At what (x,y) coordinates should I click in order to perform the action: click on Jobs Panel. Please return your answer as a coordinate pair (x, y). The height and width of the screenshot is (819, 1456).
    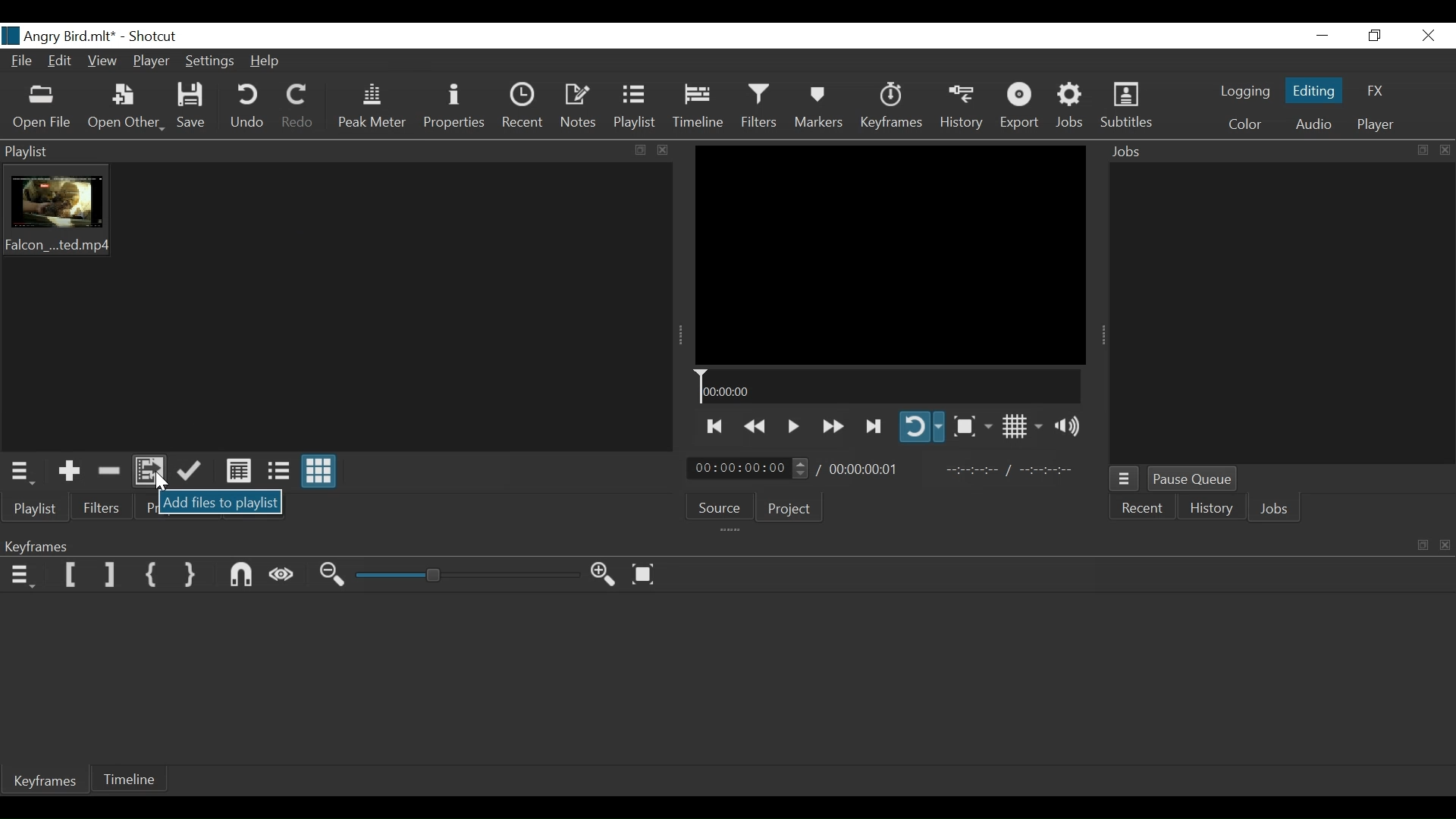
    Looking at the image, I should click on (1280, 312).